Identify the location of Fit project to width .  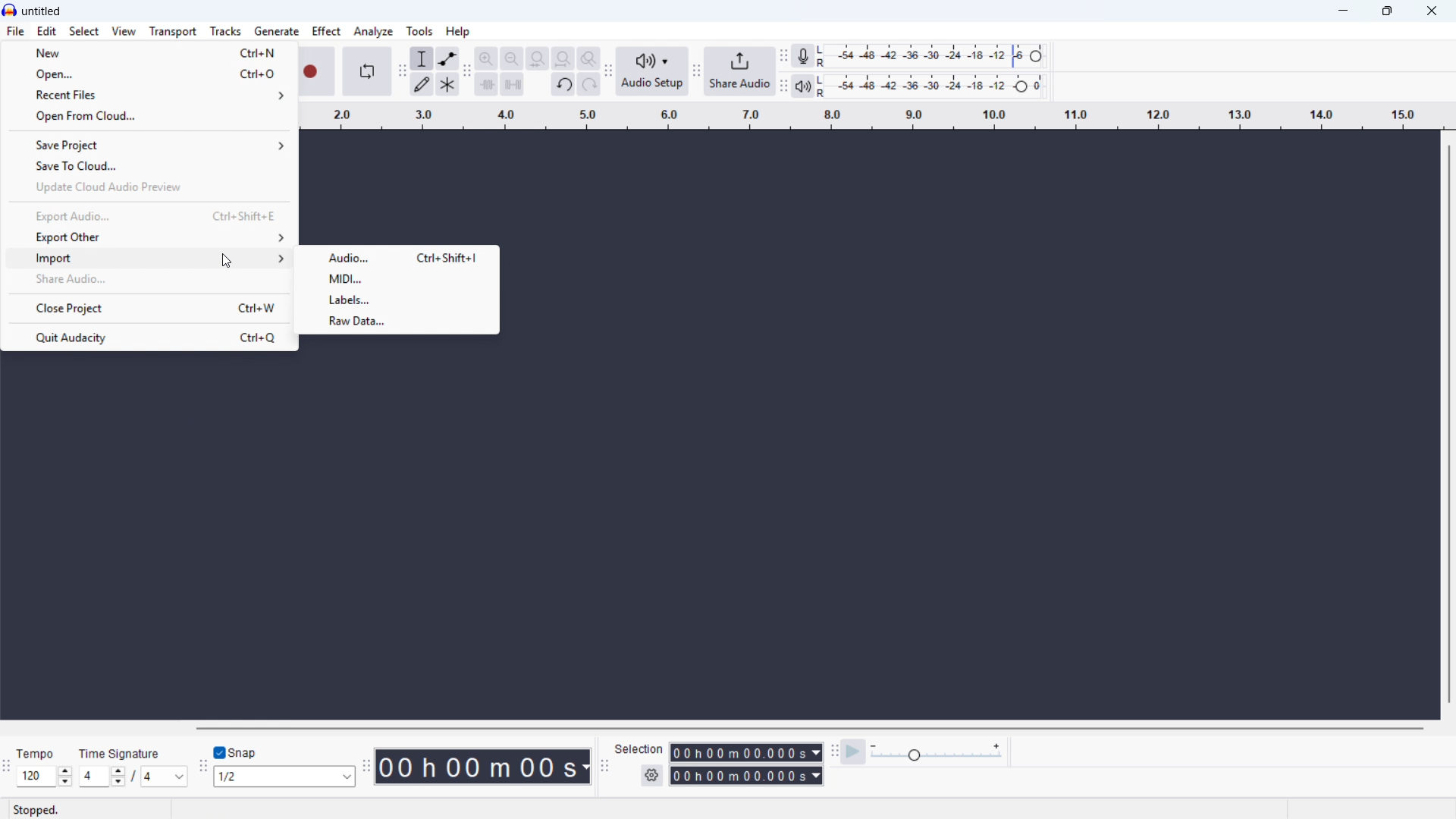
(538, 59).